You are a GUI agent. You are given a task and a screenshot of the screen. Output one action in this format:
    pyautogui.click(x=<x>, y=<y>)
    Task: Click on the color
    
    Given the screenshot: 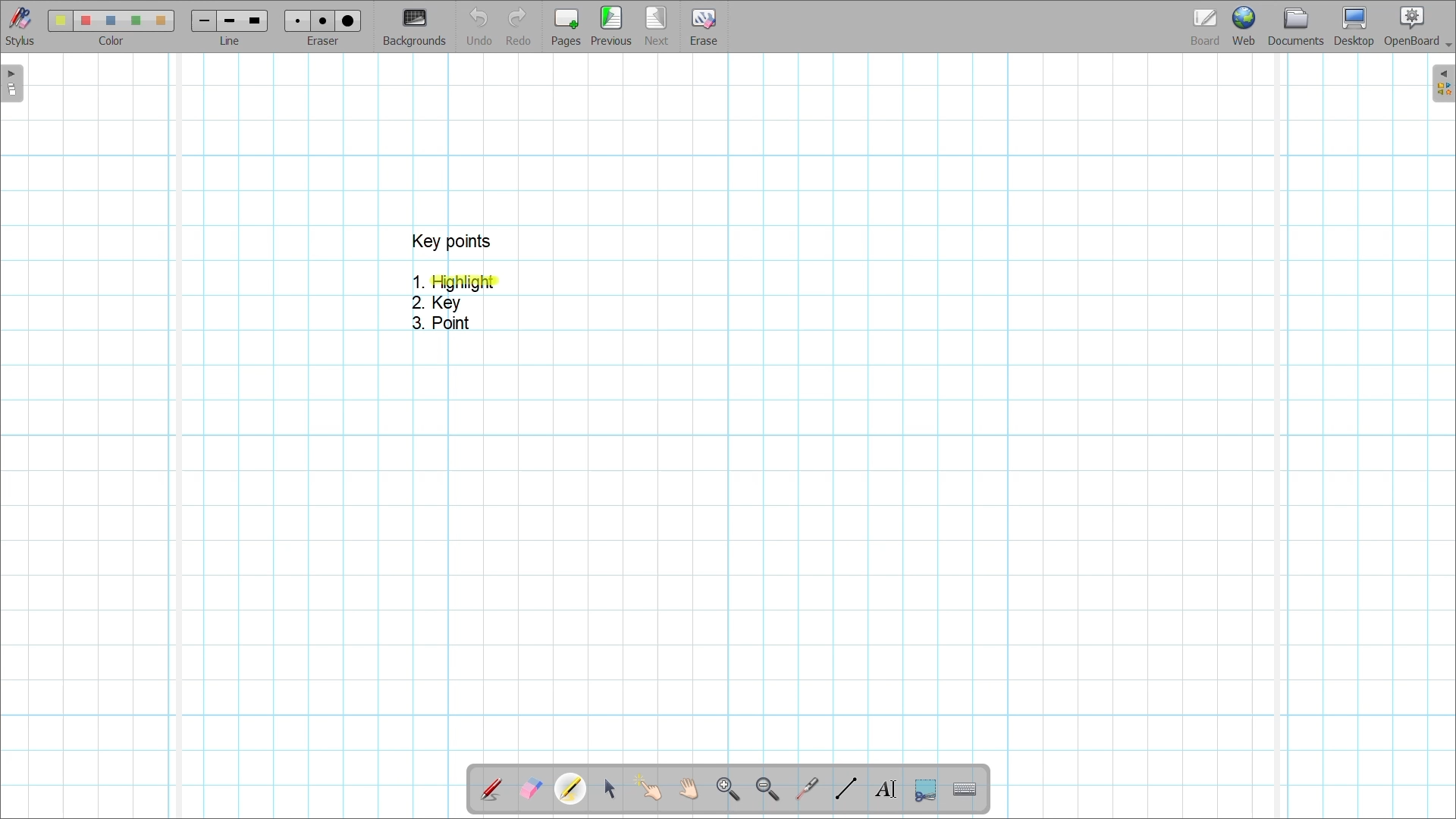 What is the action you would take?
    pyautogui.click(x=108, y=41)
    